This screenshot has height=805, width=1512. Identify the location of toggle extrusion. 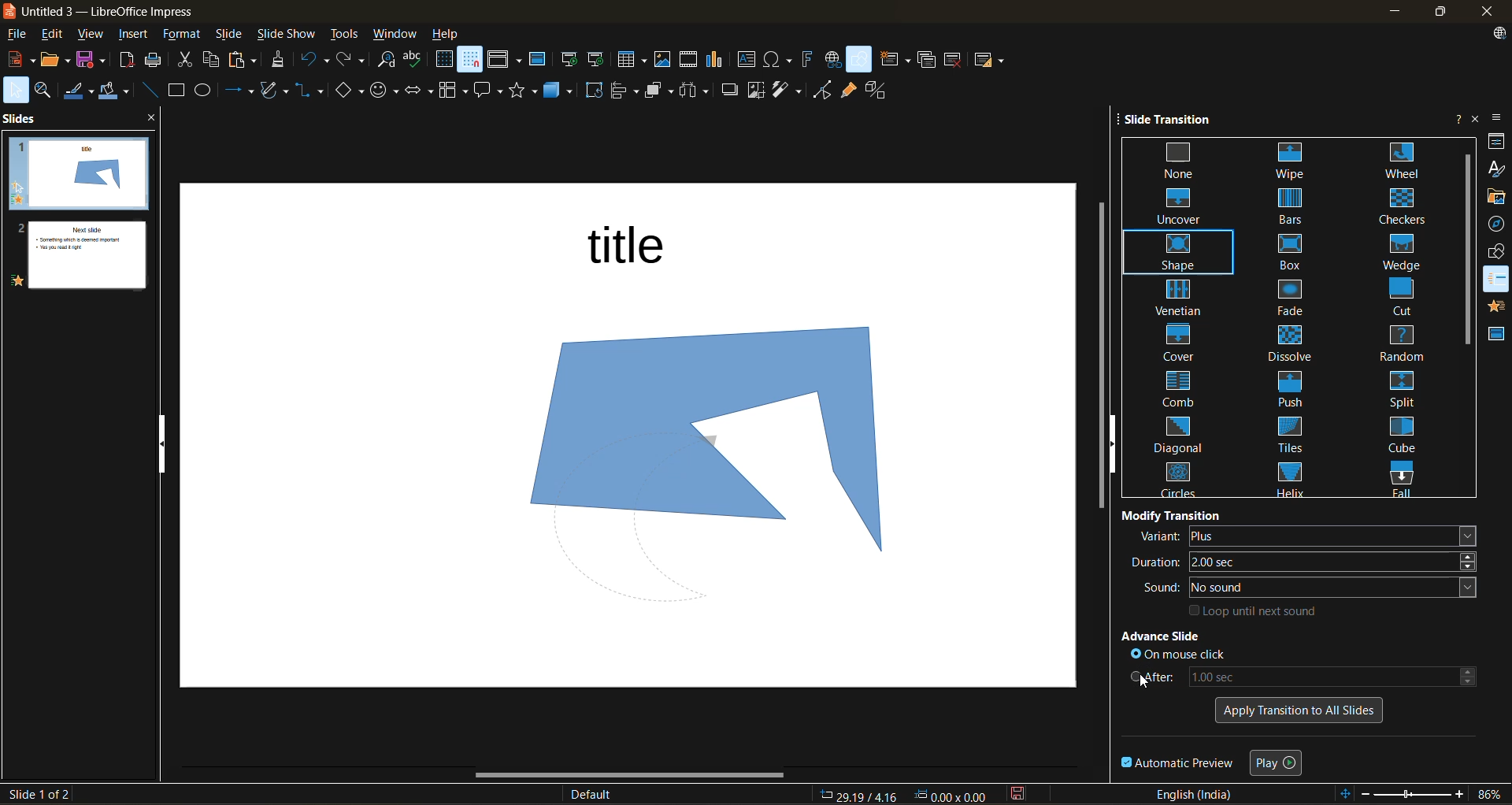
(881, 90).